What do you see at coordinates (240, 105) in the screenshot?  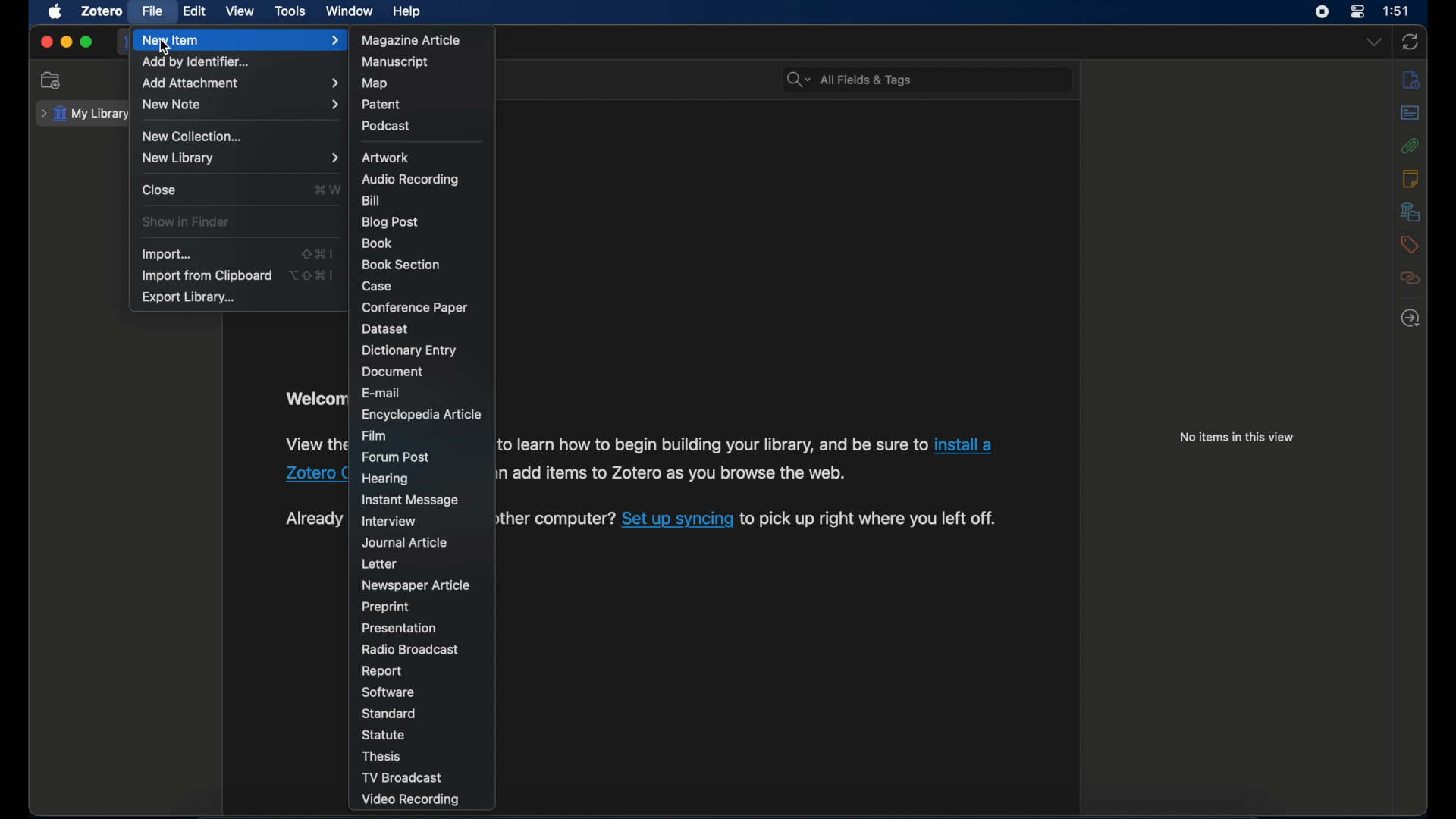 I see `new note` at bounding box center [240, 105].